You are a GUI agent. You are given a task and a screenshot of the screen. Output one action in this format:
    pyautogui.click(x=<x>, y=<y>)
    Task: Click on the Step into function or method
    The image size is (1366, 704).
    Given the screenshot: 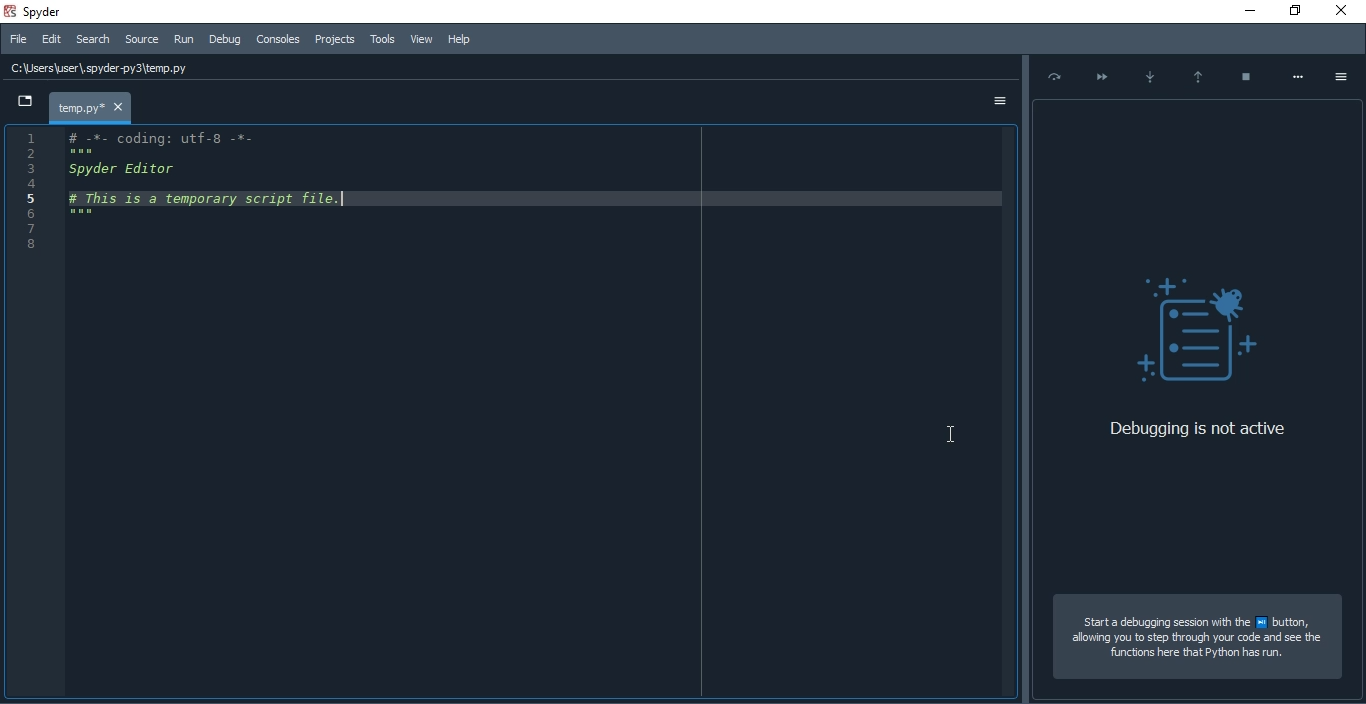 What is the action you would take?
    pyautogui.click(x=1149, y=73)
    